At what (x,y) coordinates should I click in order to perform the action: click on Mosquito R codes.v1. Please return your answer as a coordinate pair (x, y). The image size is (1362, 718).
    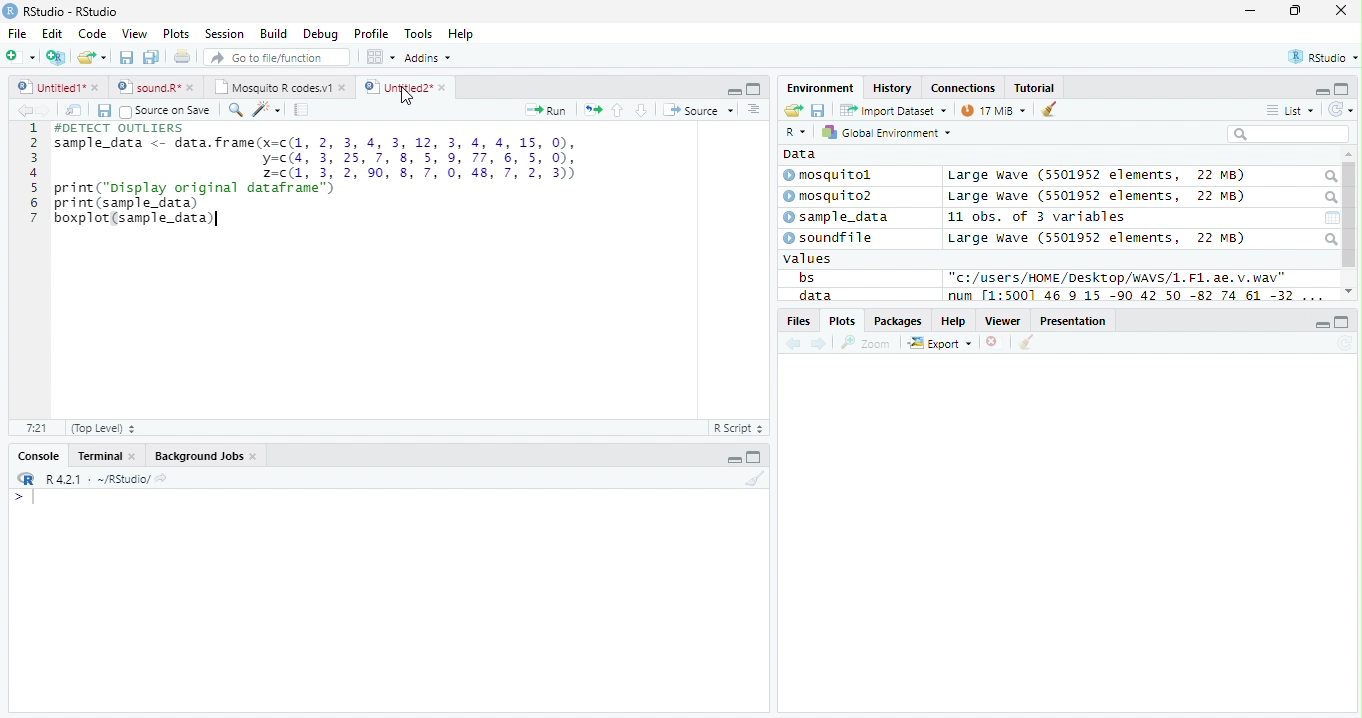
    Looking at the image, I should click on (277, 86).